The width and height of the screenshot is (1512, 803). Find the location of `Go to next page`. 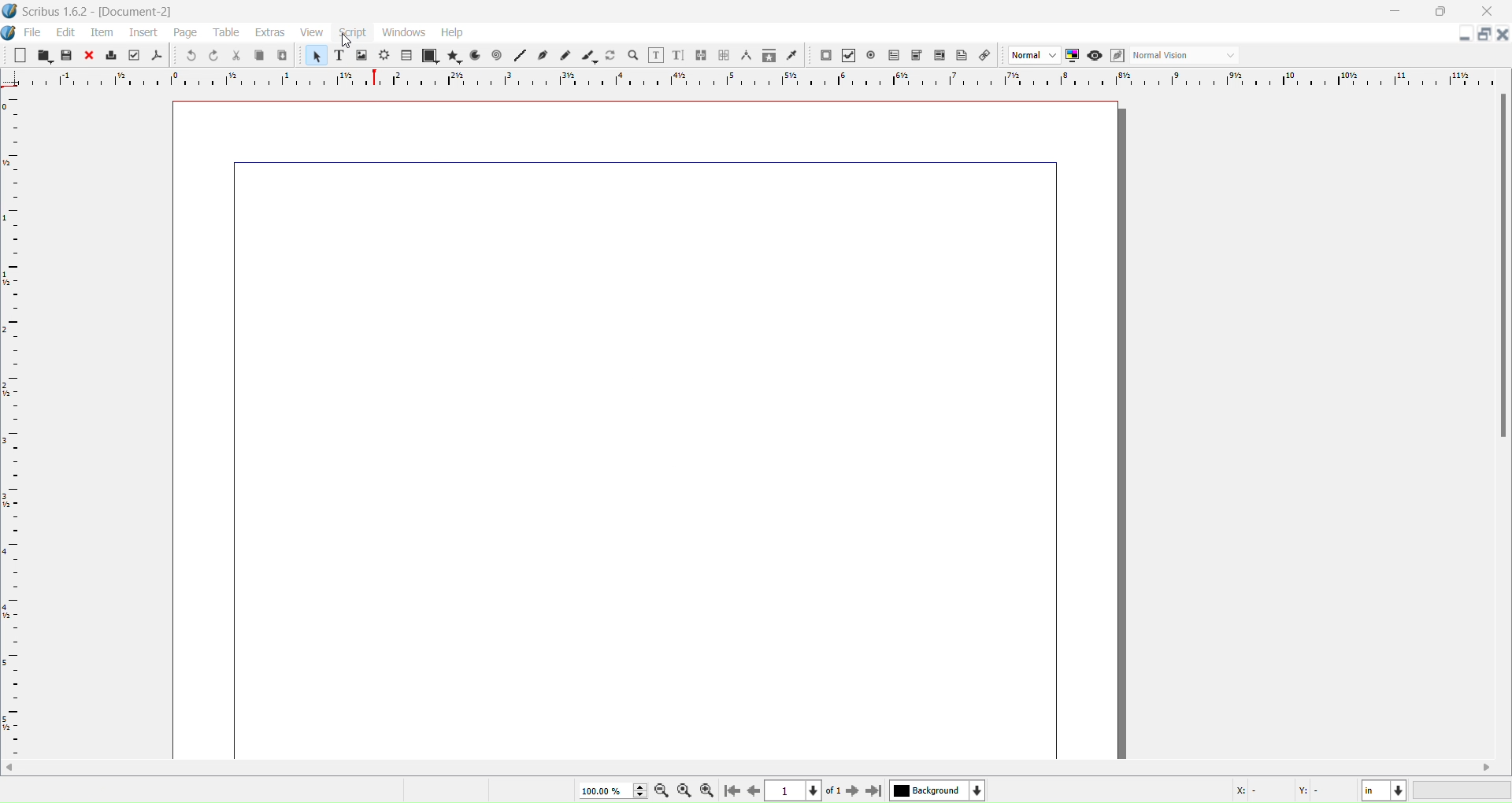

Go to next page is located at coordinates (851, 790).